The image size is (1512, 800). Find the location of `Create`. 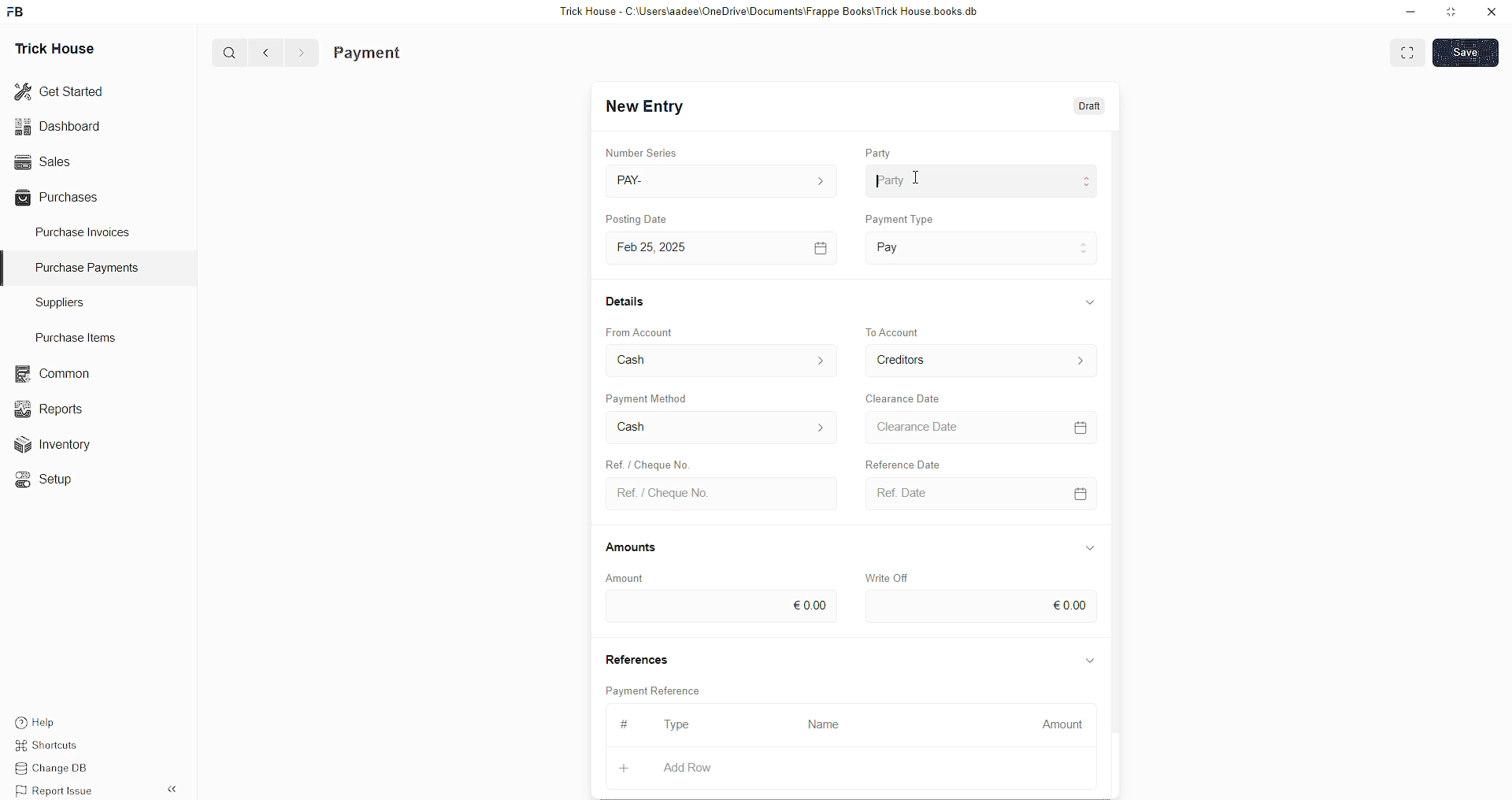

Create is located at coordinates (645, 461).